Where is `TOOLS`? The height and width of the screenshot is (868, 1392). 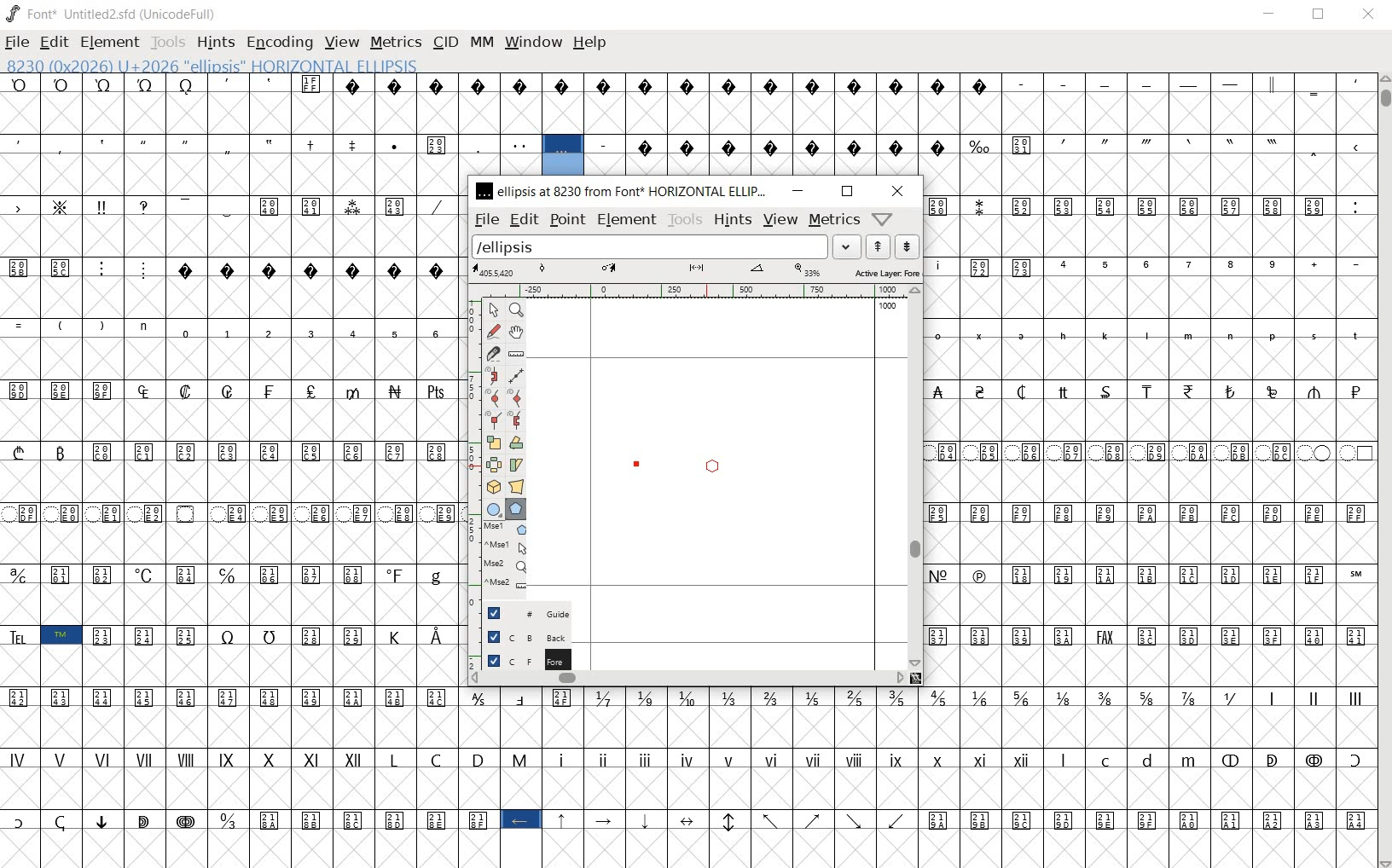
TOOLS is located at coordinates (169, 42).